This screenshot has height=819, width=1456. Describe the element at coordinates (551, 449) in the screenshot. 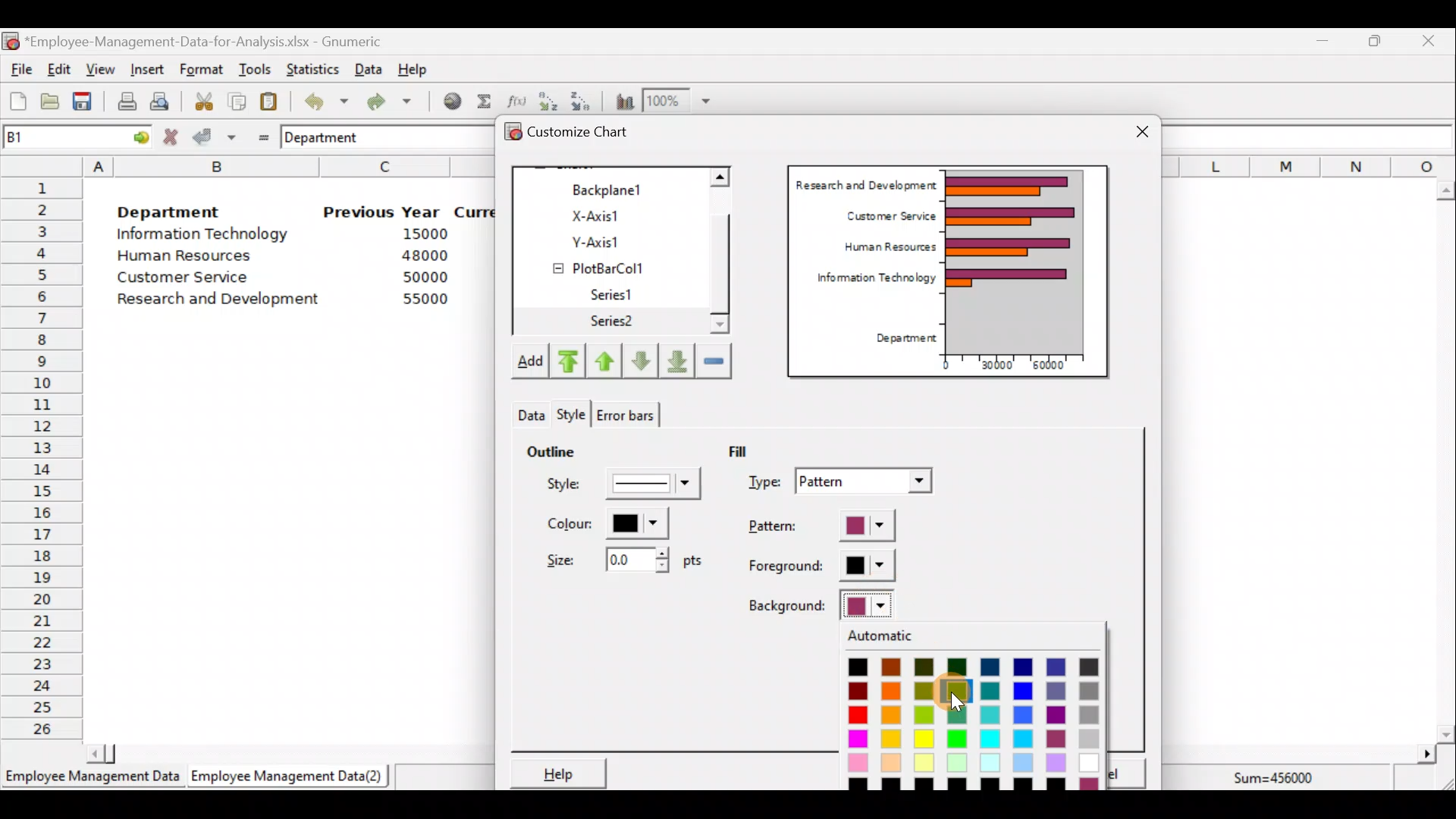

I see `Outline` at that location.